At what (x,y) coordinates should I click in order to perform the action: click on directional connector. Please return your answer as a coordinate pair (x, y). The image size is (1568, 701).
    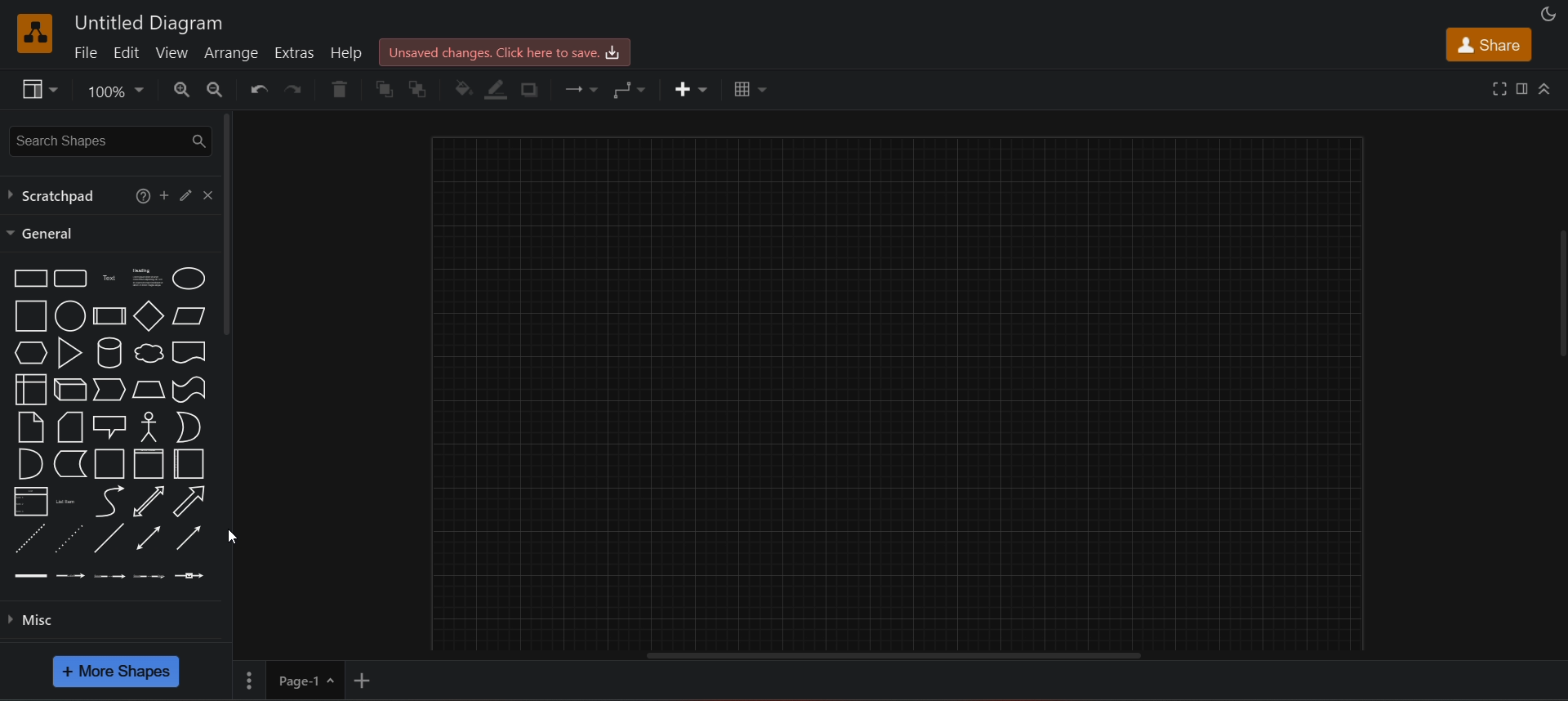
    Looking at the image, I should click on (189, 538).